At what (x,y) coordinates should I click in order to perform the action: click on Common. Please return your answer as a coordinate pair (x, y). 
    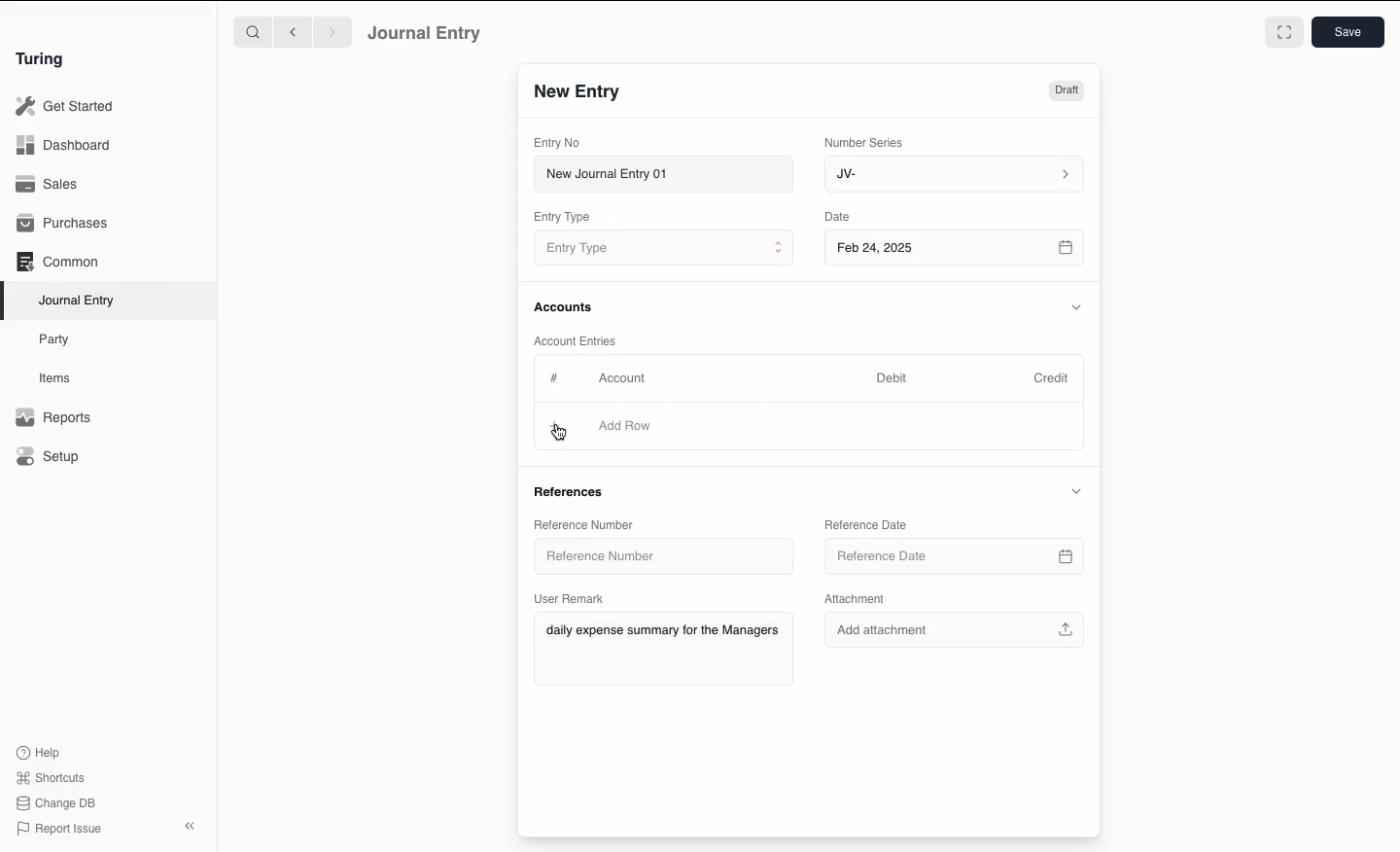
    Looking at the image, I should click on (59, 262).